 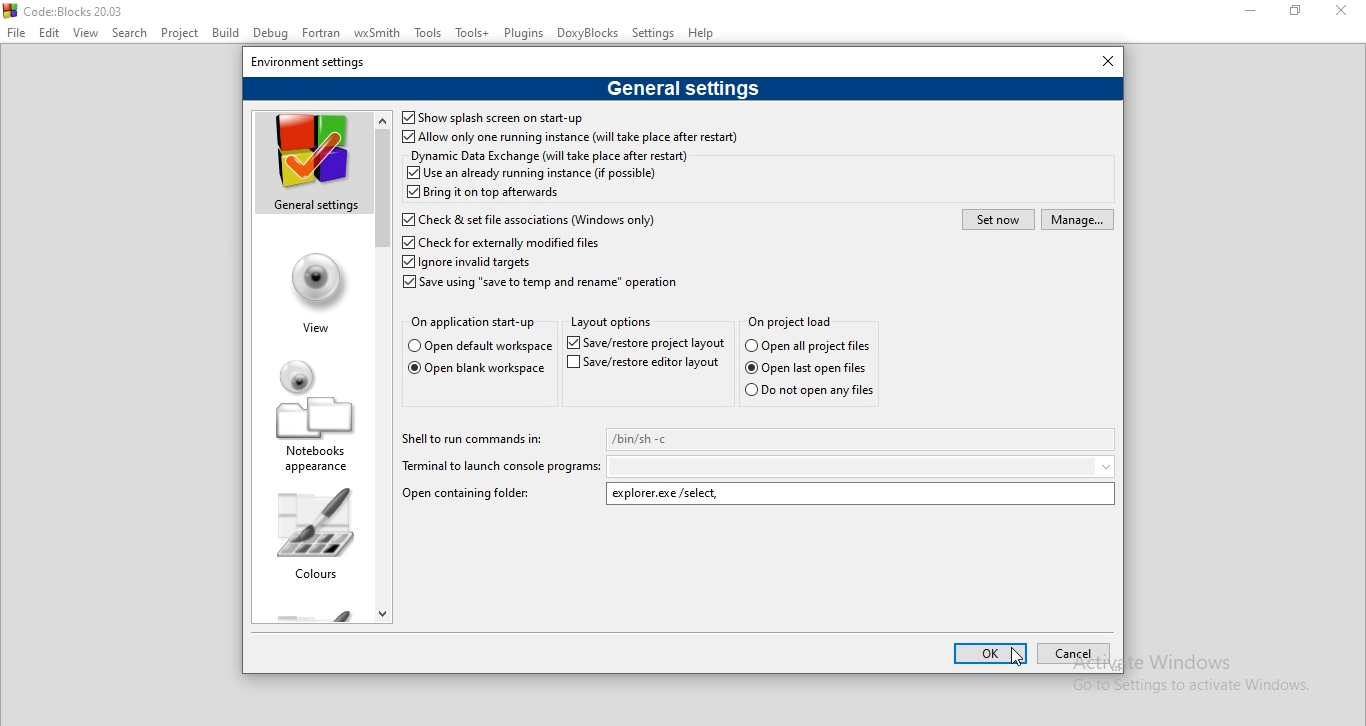 What do you see at coordinates (863, 466) in the screenshot?
I see `dropdown` at bounding box center [863, 466].